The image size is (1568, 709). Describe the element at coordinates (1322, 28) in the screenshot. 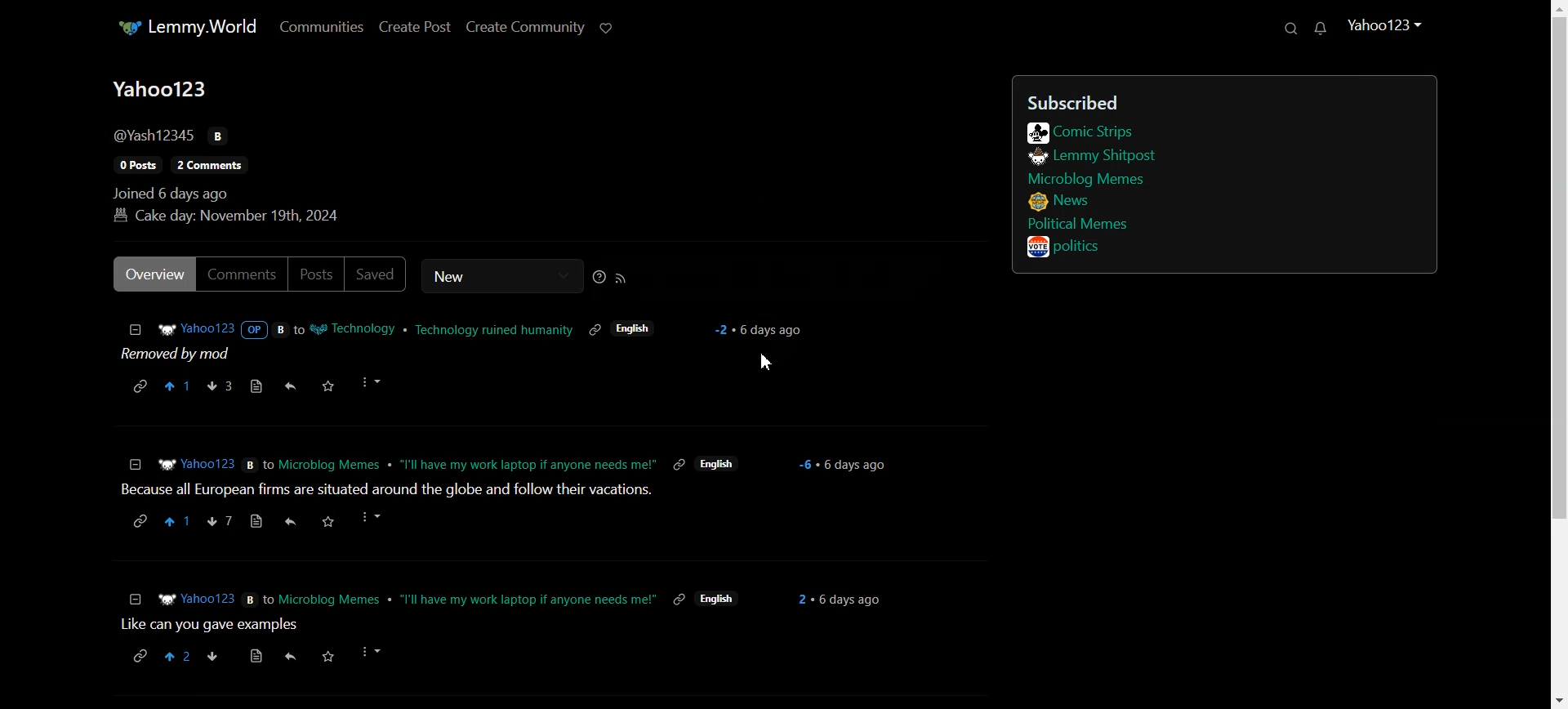

I see `Unread Message` at that location.